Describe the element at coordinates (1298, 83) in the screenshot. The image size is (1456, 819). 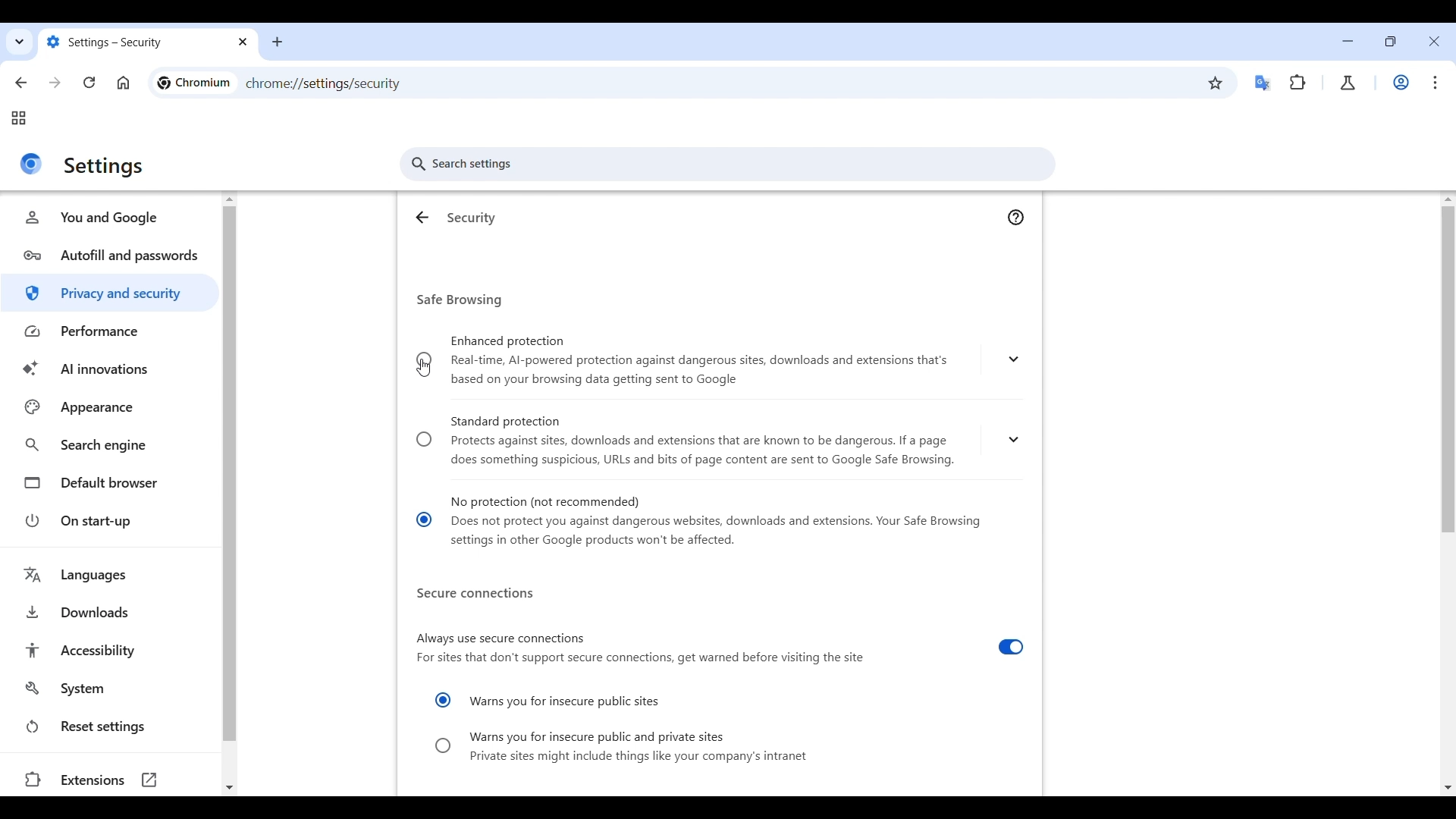
I see `Extensions` at that location.